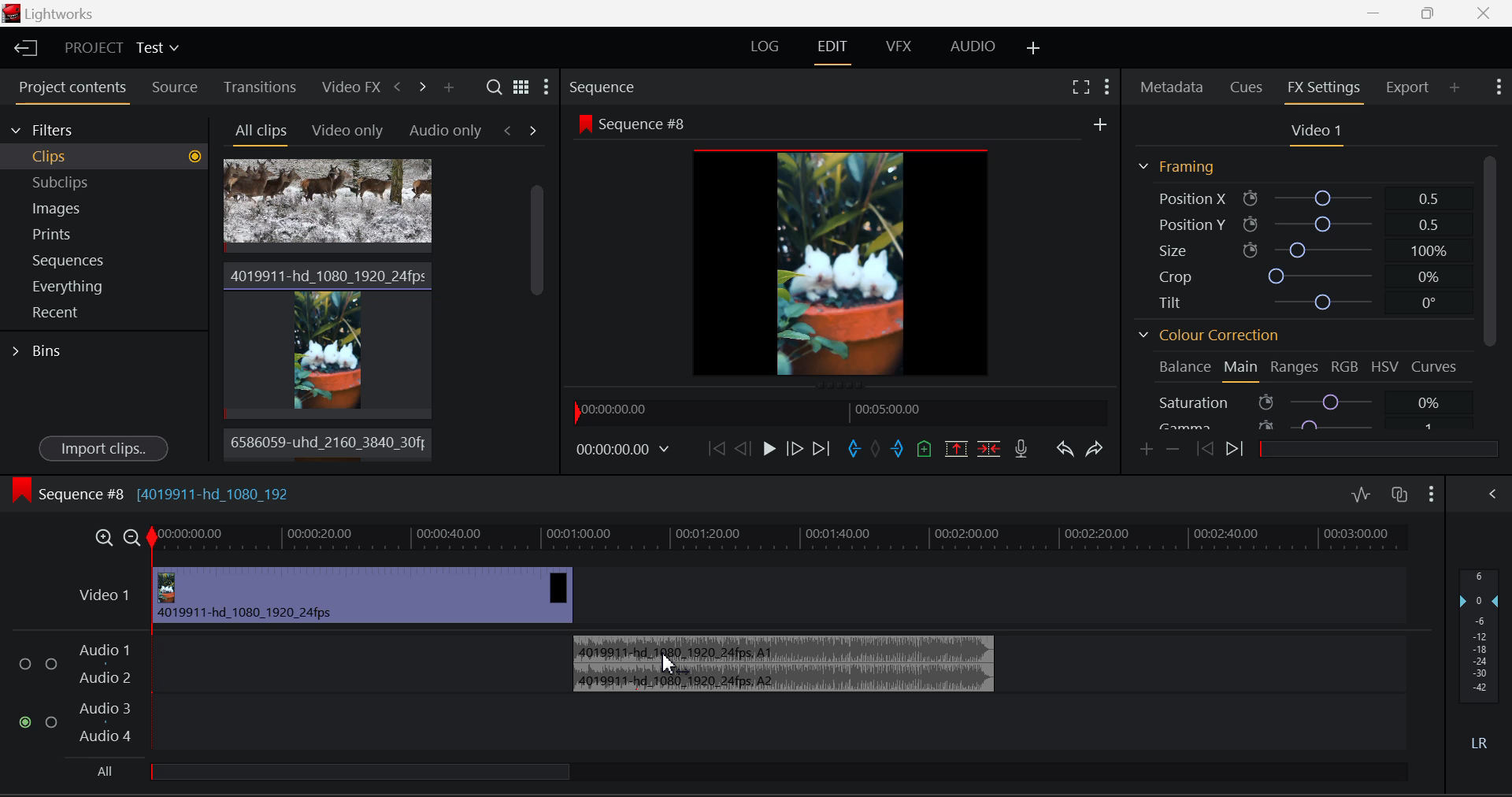 The width and height of the screenshot is (1512, 797). Describe the element at coordinates (548, 85) in the screenshot. I see `Show Settings` at that location.